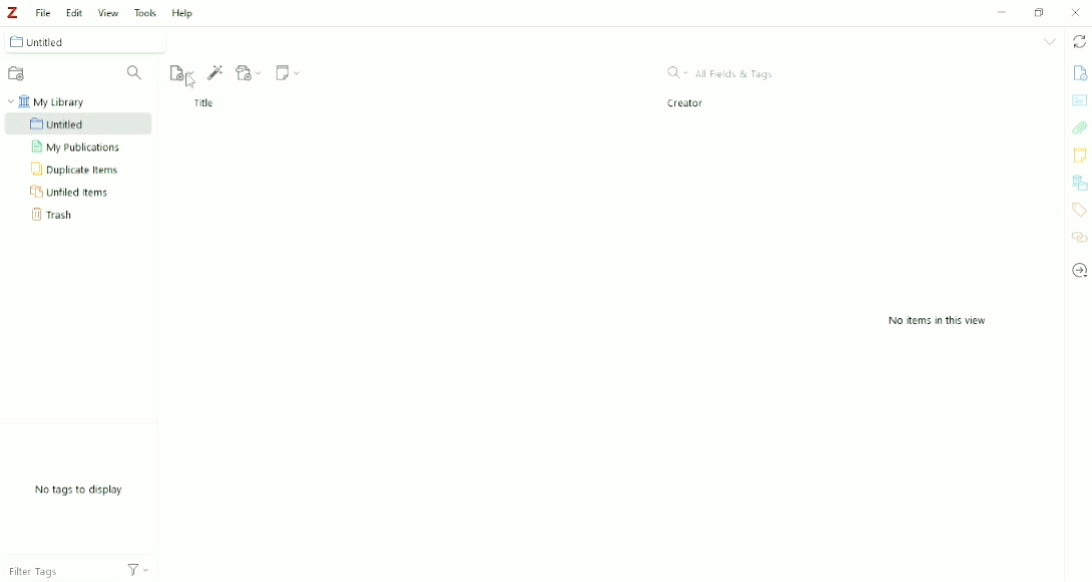 The height and width of the screenshot is (582, 1092). What do you see at coordinates (191, 83) in the screenshot?
I see `cursor on File` at bounding box center [191, 83].